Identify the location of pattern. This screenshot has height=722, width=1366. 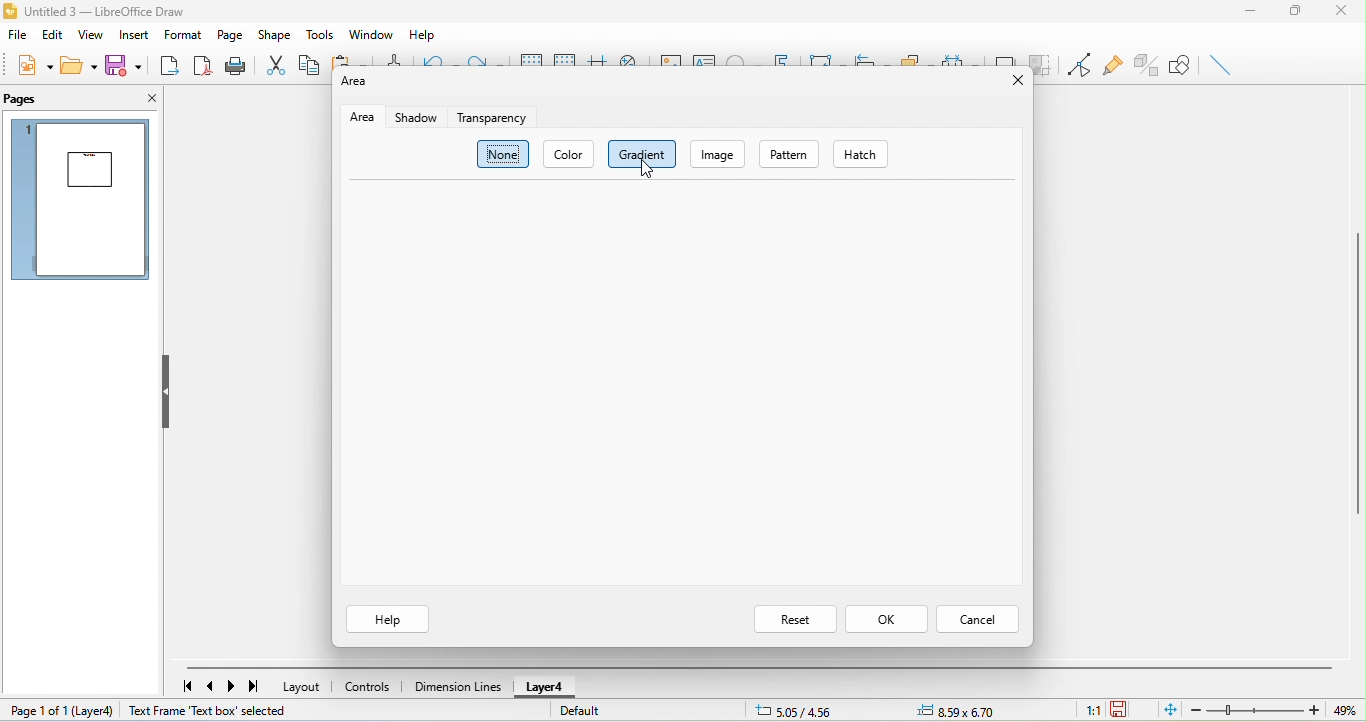
(794, 155).